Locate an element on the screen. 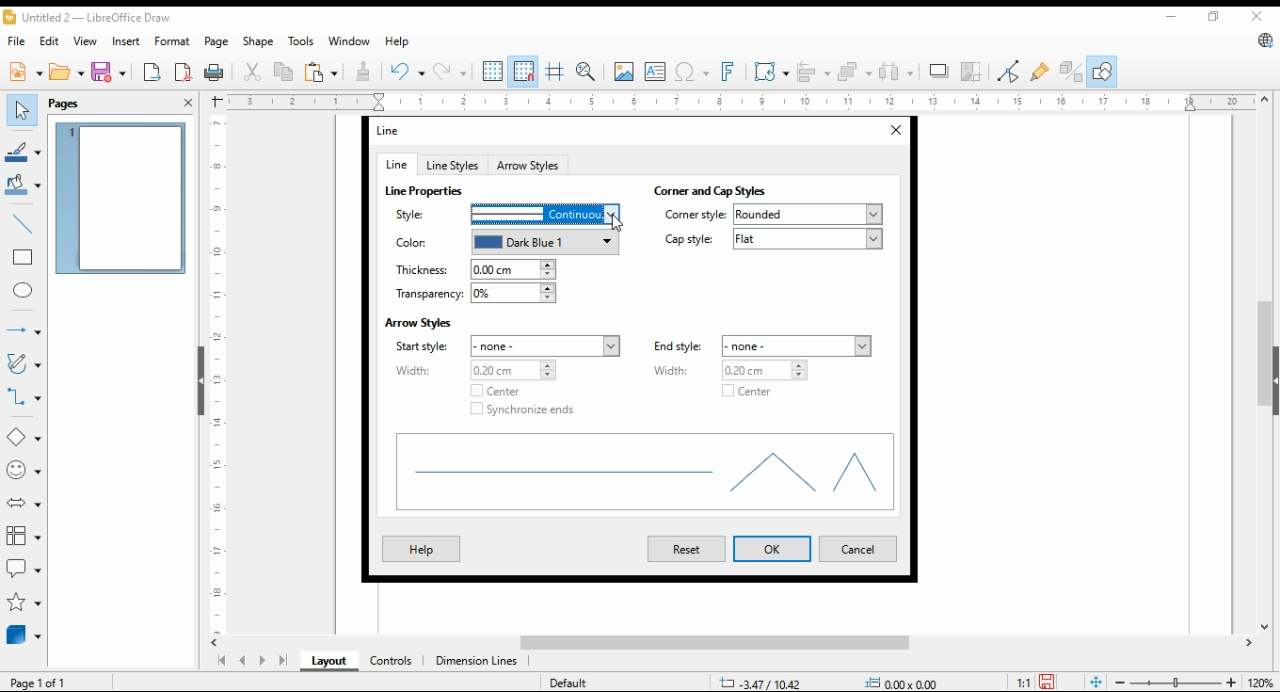  rectangle is located at coordinates (22, 256).